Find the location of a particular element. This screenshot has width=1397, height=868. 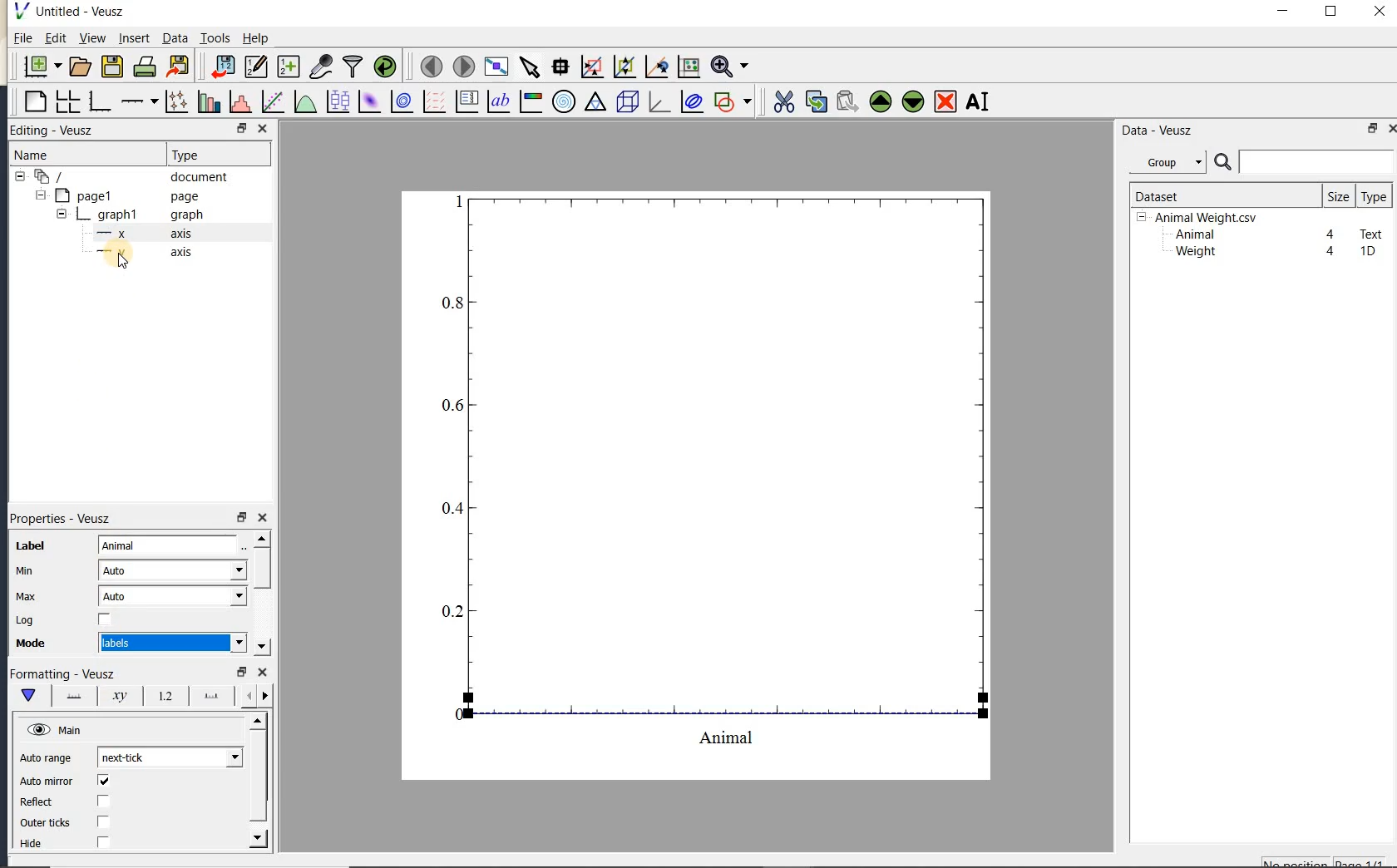

Text is located at coordinates (1372, 232).